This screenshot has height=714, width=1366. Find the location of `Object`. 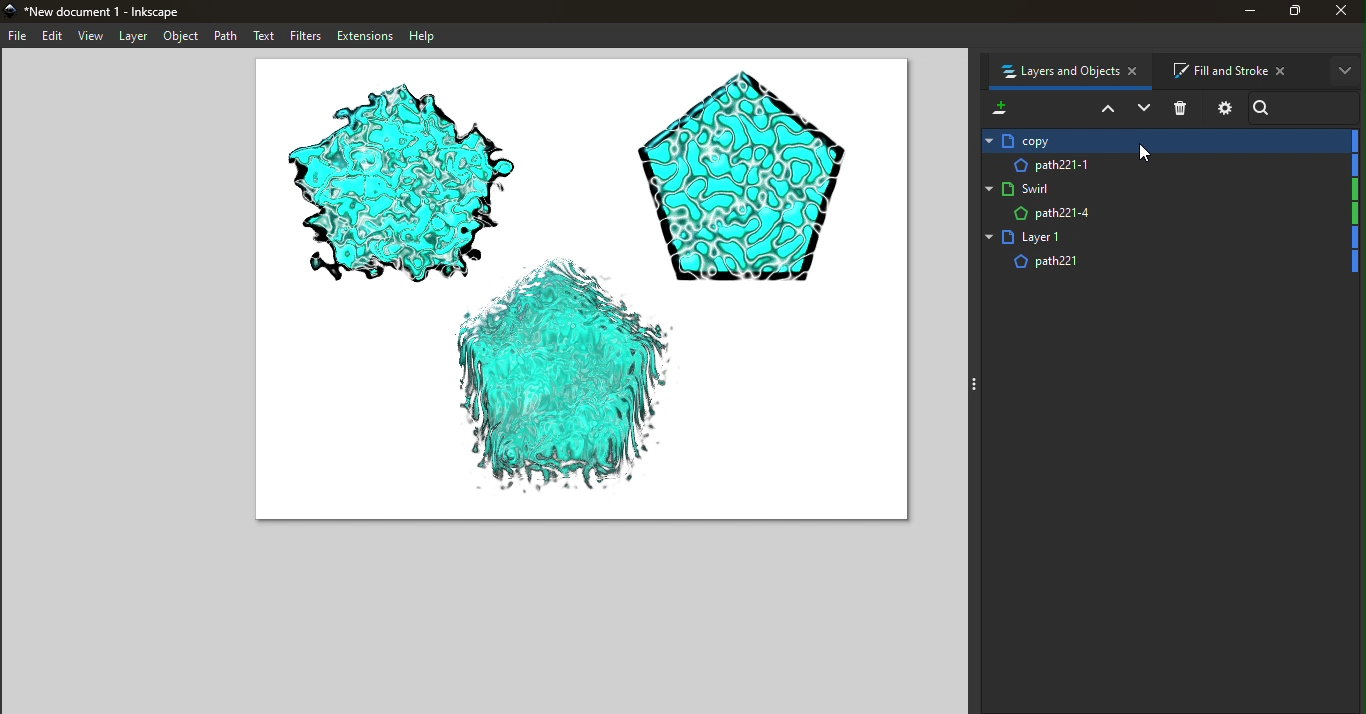

Object is located at coordinates (181, 37).